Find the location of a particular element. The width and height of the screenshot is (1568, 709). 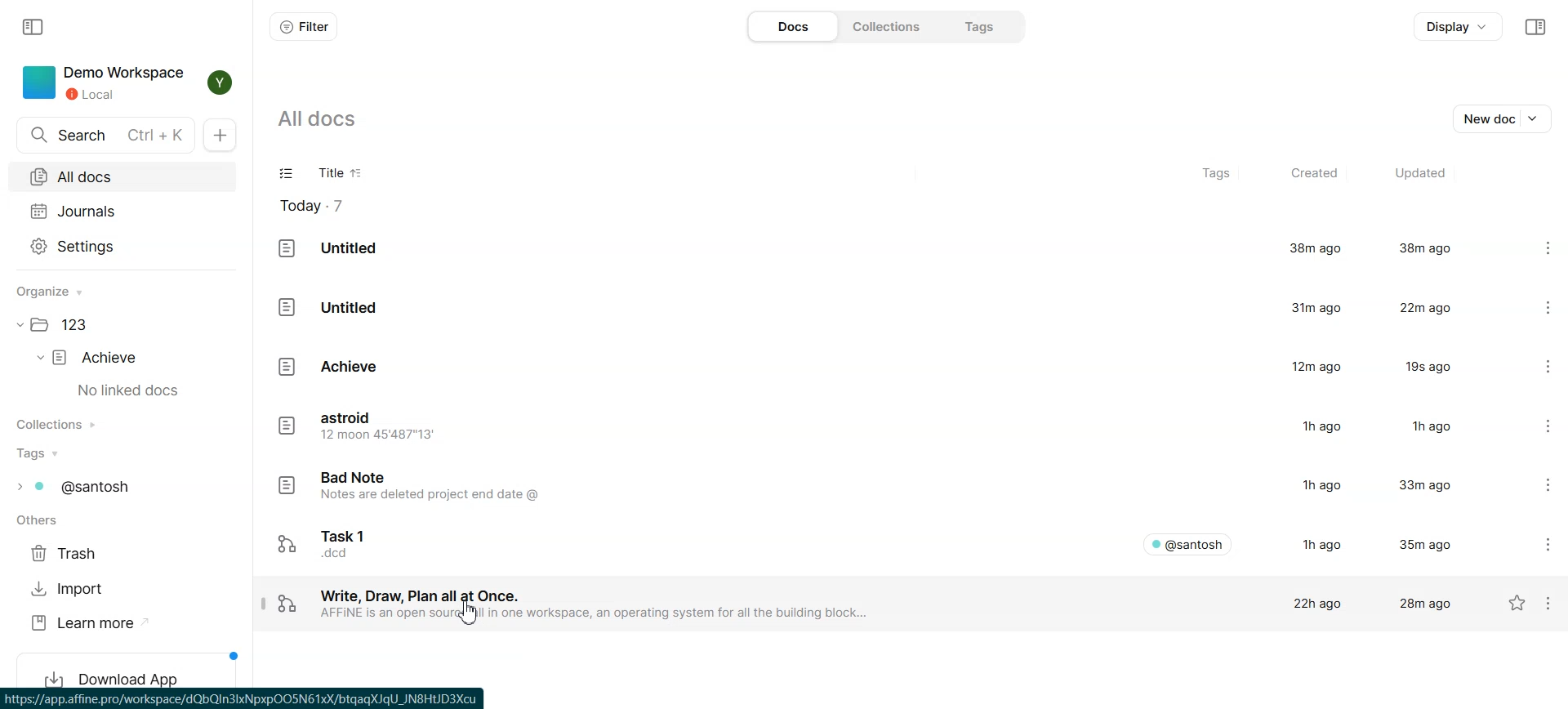

TT a —
ttps://app.affine.pro/workspace/dQbQIn3IxNpxpOOSN6 1xX/btqagX)qU_JNSHUD3Xcu | is located at coordinates (257, 698).